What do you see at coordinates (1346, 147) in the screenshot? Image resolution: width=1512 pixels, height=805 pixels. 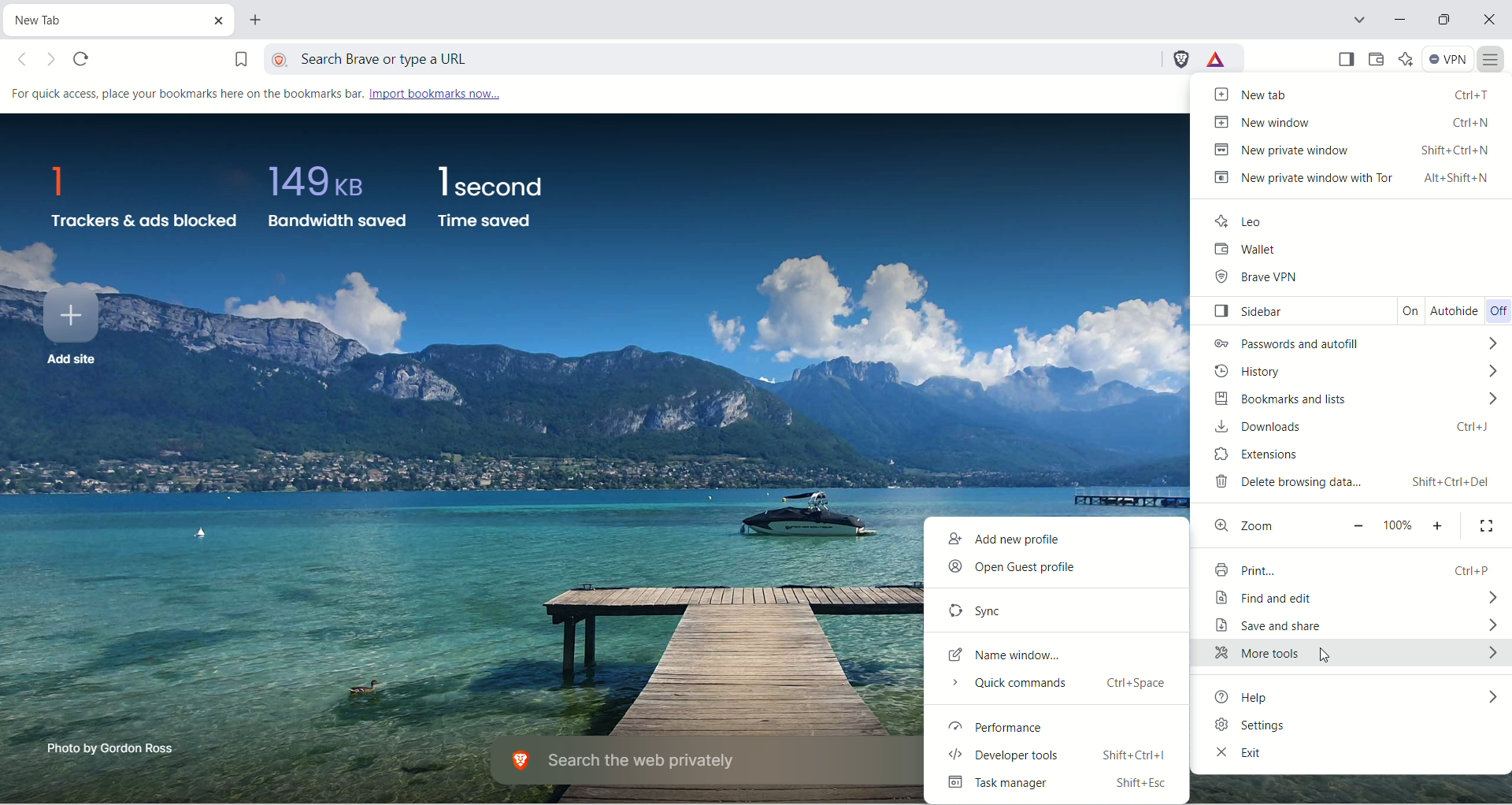 I see `new private window` at bounding box center [1346, 147].